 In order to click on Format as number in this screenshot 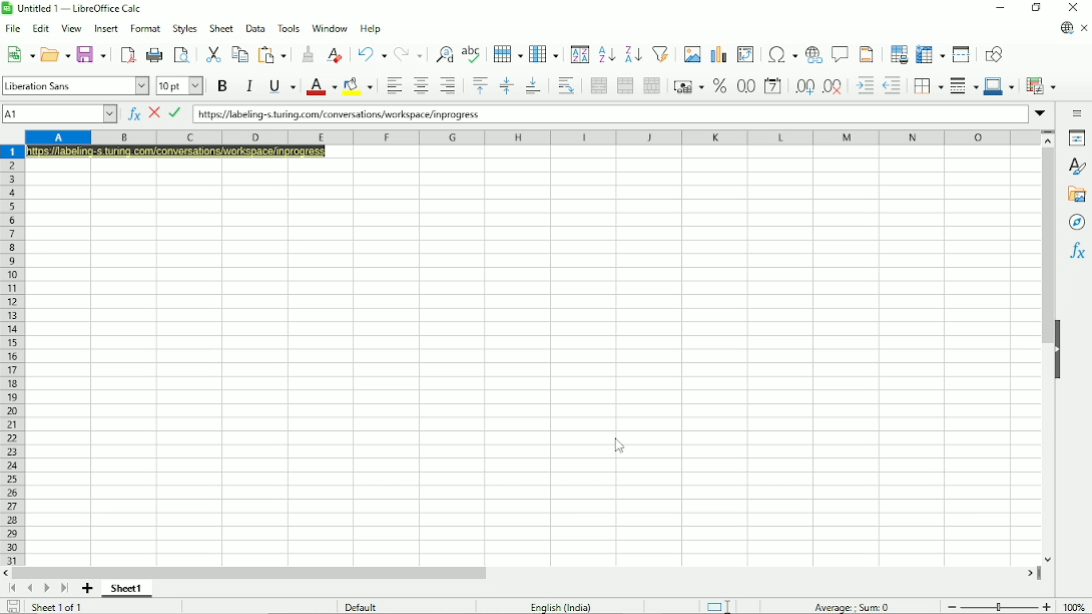, I will do `click(745, 86)`.